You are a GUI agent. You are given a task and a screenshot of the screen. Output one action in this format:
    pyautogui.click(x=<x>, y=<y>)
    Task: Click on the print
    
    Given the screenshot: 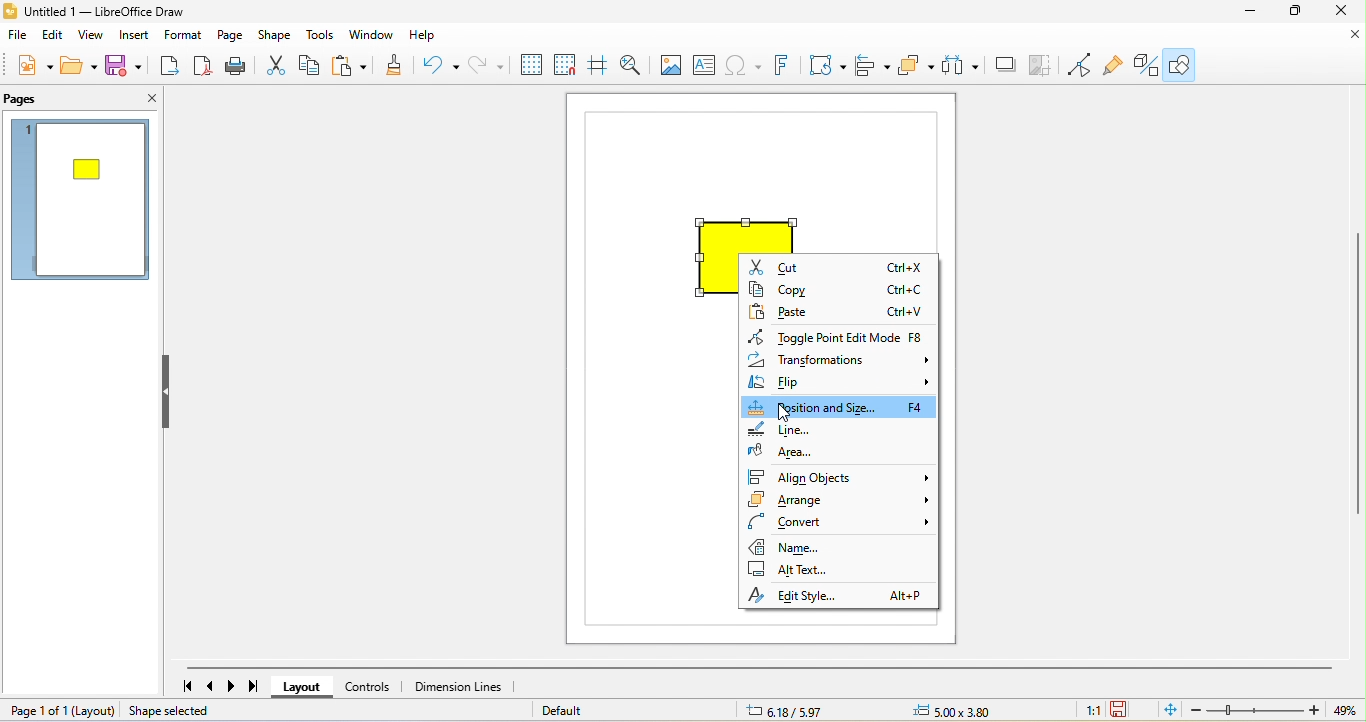 What is the action you would take?
    pyautogui.click(x=236, y=67)
    